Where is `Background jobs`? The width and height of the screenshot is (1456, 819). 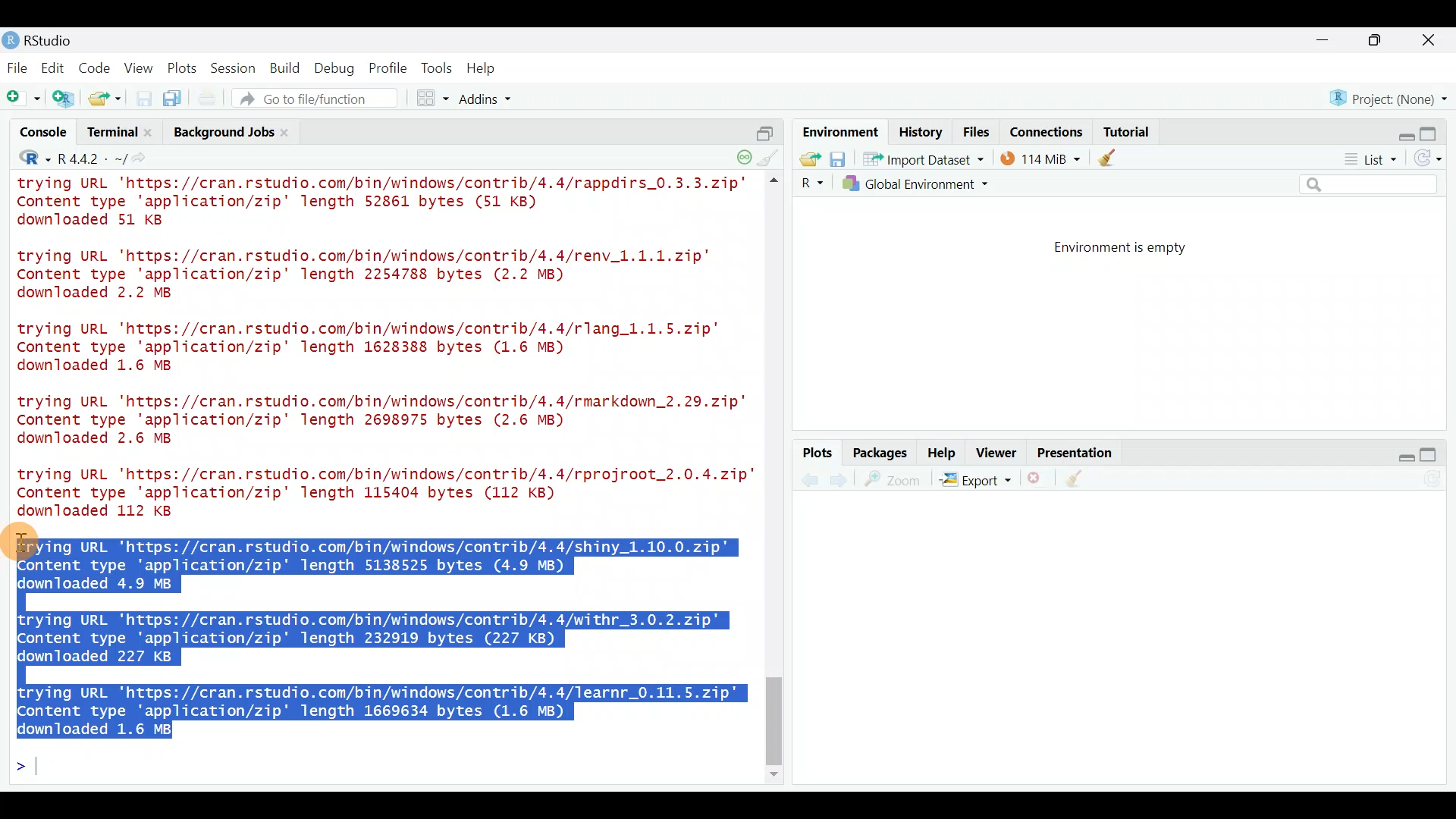
Background jobs is located at coordinates (221, 132).